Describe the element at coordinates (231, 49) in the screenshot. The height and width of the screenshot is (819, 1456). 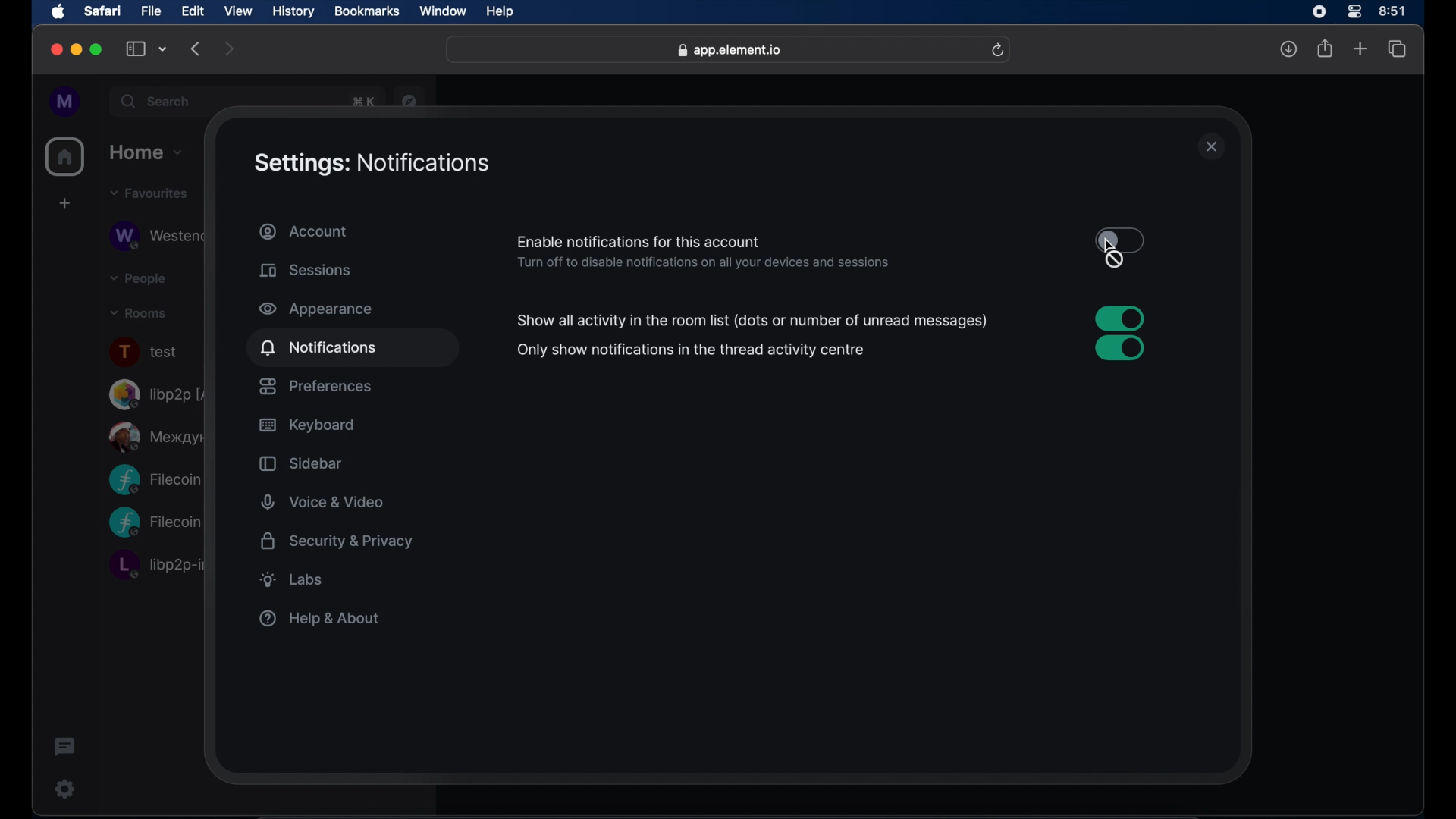
I see `forward` at that location.